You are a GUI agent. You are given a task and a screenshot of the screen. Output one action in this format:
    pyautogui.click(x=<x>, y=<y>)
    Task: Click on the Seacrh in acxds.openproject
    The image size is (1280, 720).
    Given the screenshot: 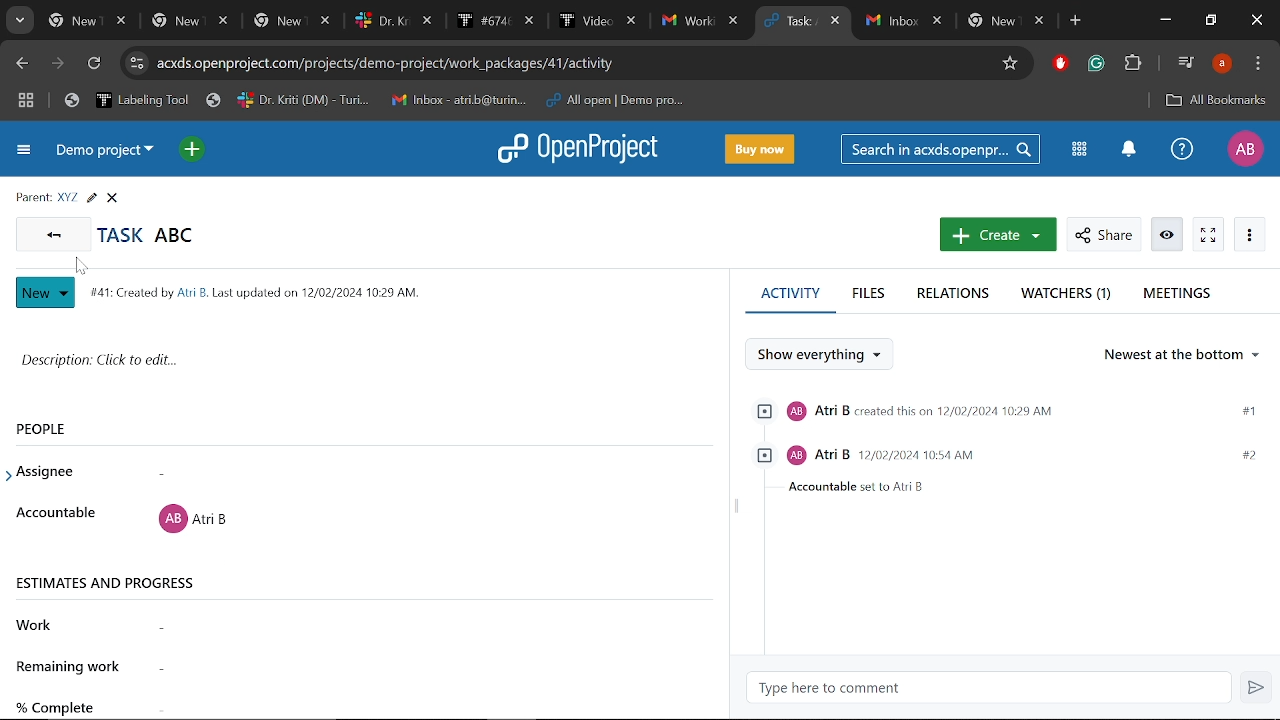 What is the action you would take?
    pyautogui.click(x=942, y=150)
    